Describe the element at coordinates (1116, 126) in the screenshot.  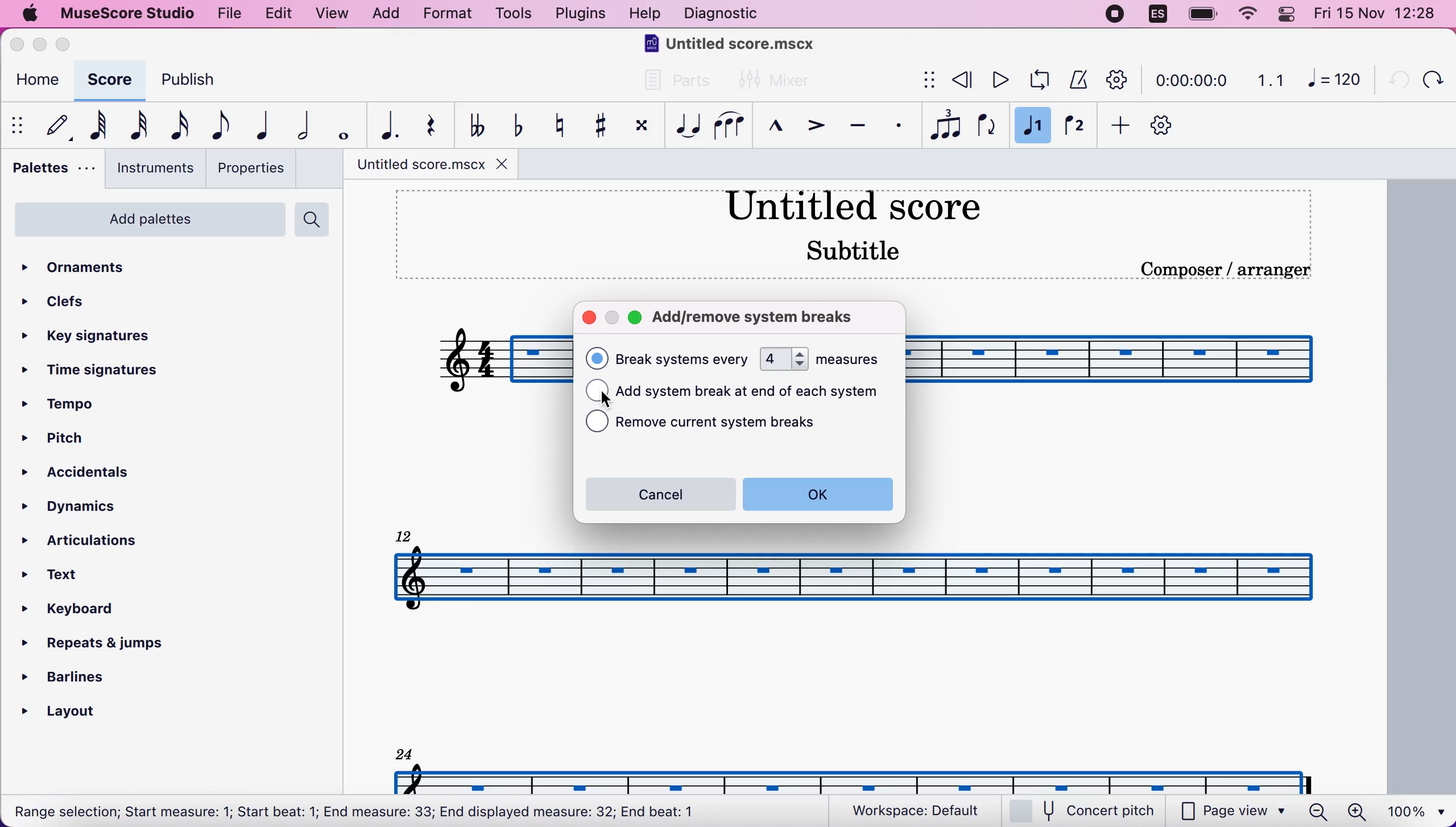
I see `add` at that location.